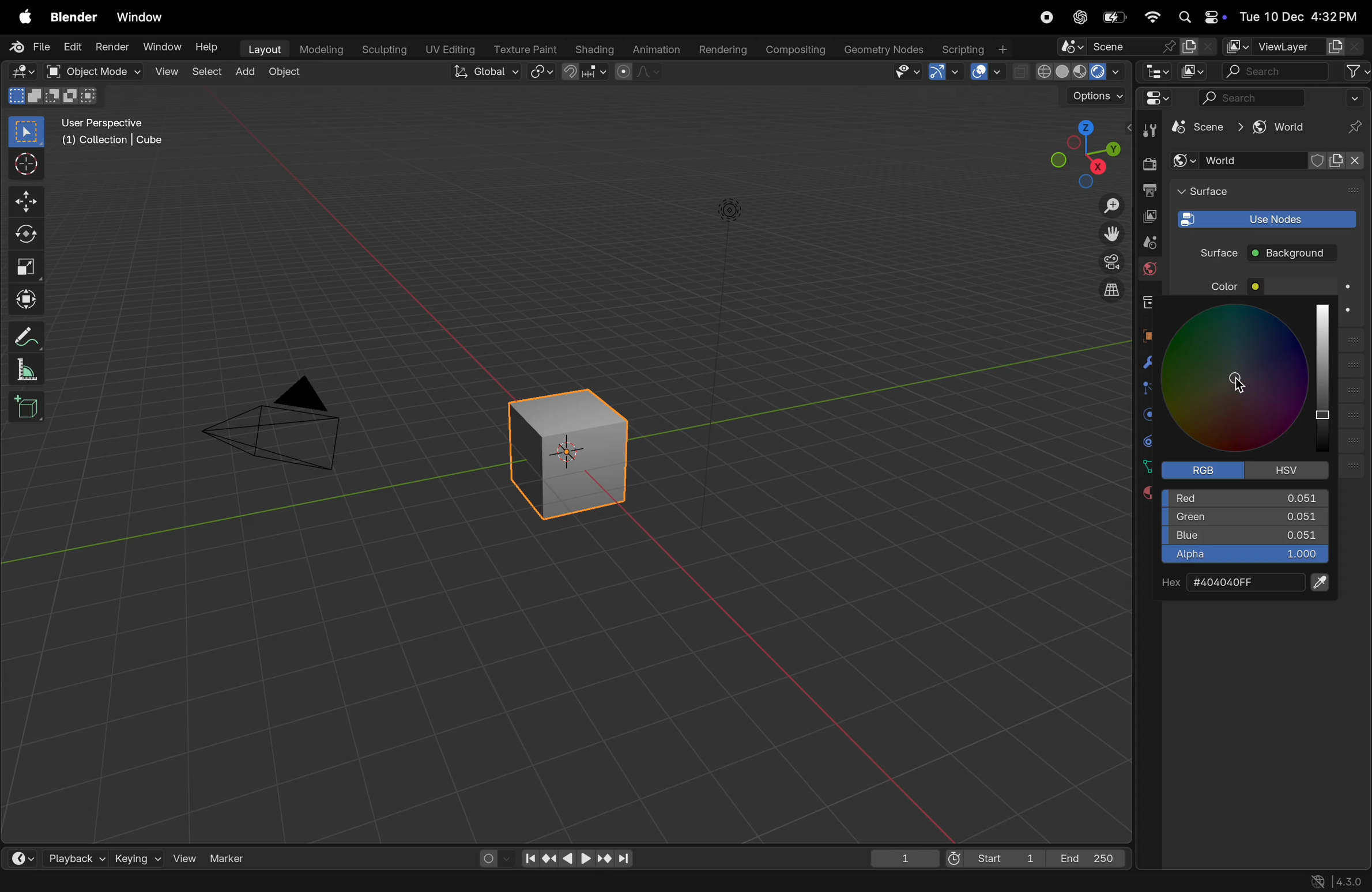  What do you see at coordinates (1145, 242) in the screenshot?
I see `scene` at bounding box center [1145, 242].